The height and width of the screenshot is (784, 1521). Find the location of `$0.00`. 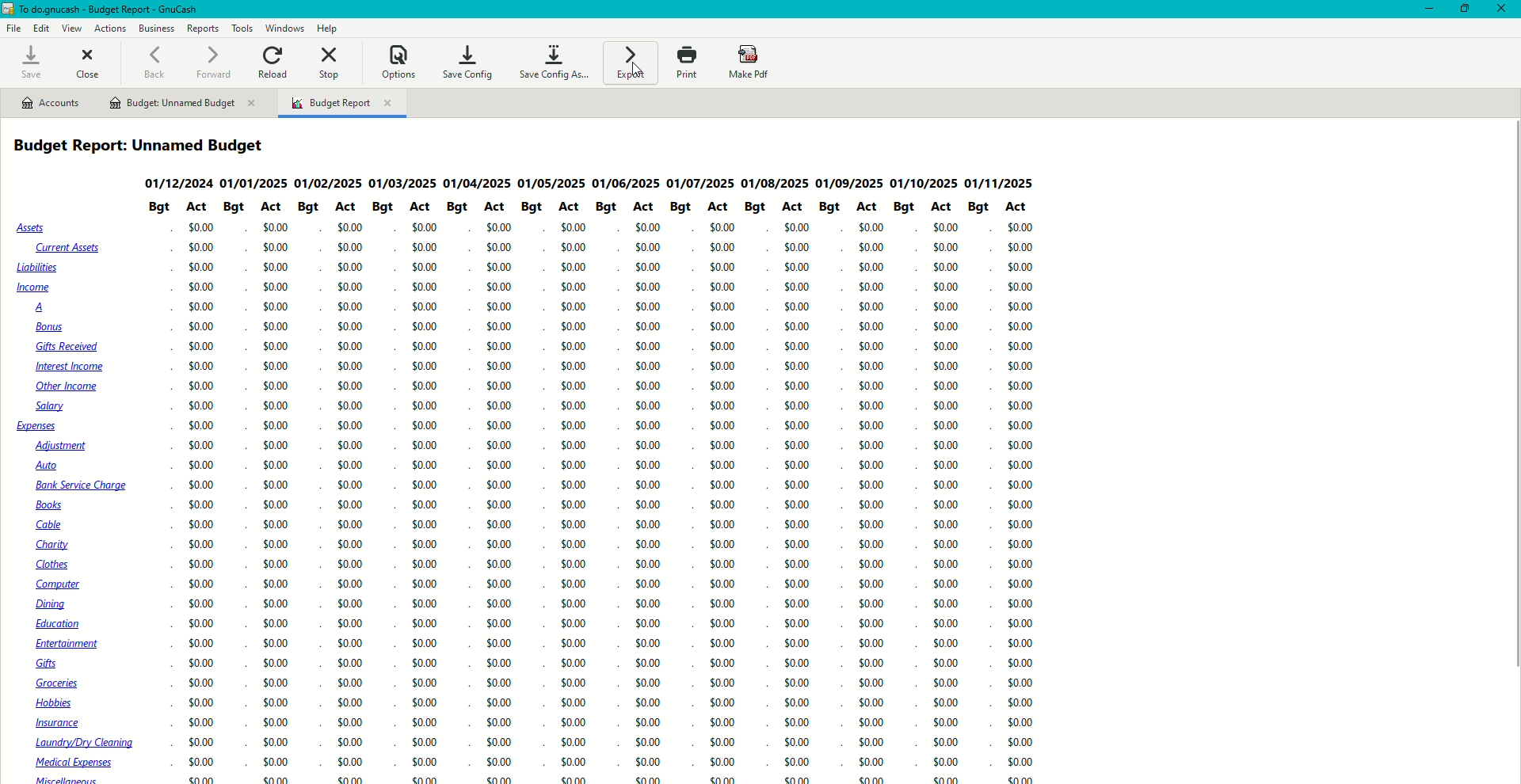

$0.00 is located at coordinates (349, 446).